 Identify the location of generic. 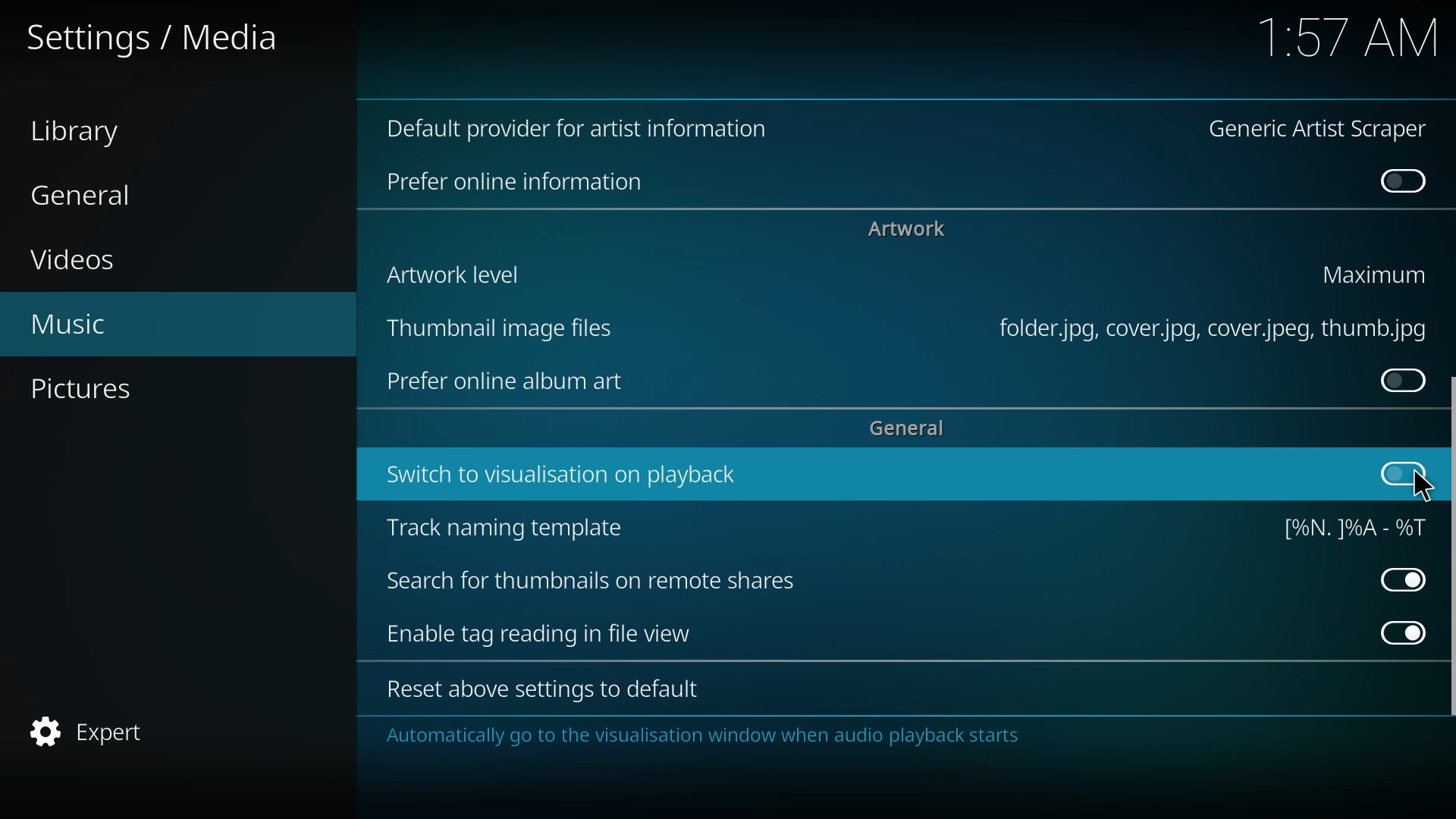
(1321, 130).